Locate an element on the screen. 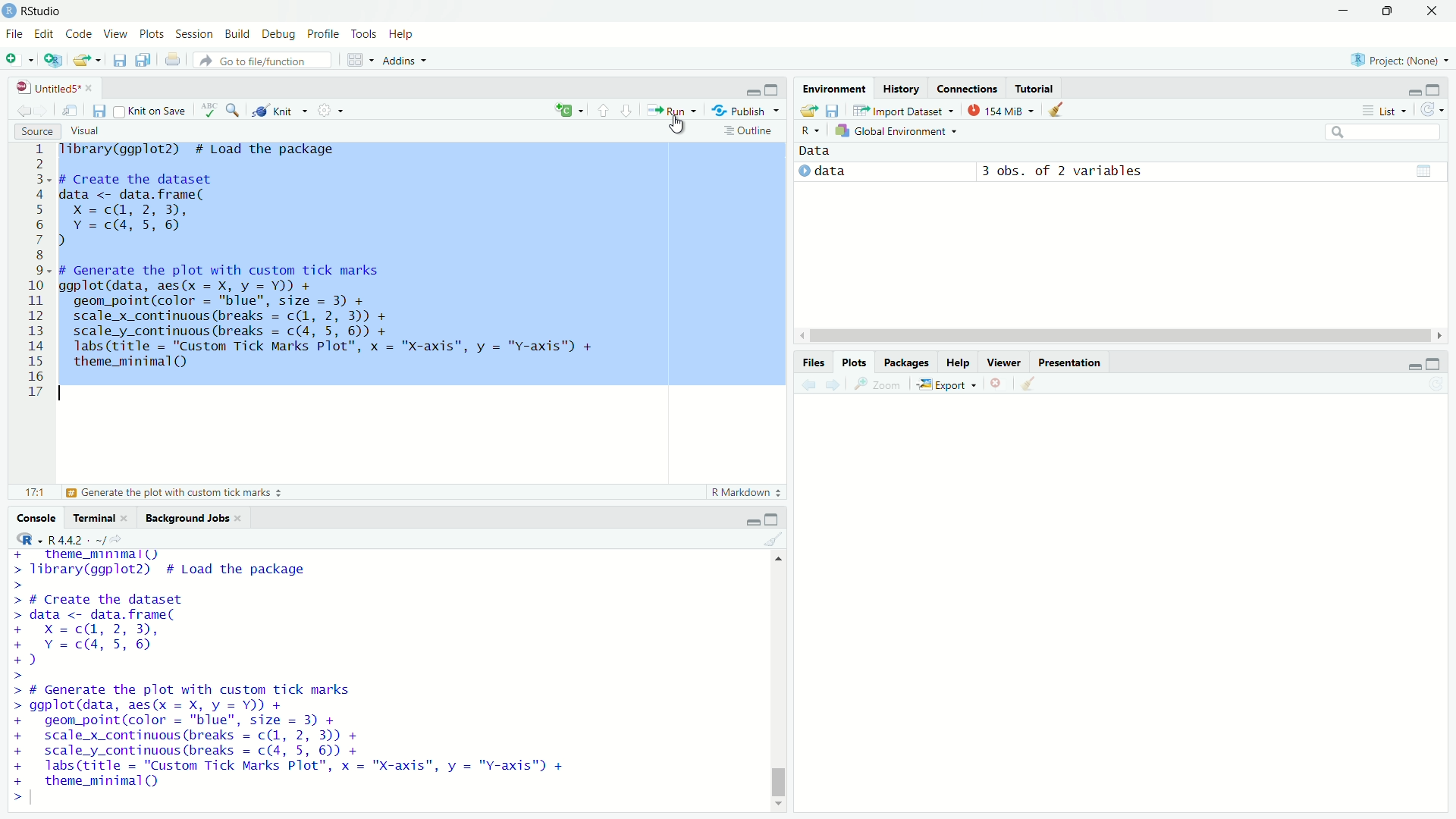  scrollbar is located at coordinates (777, 684).